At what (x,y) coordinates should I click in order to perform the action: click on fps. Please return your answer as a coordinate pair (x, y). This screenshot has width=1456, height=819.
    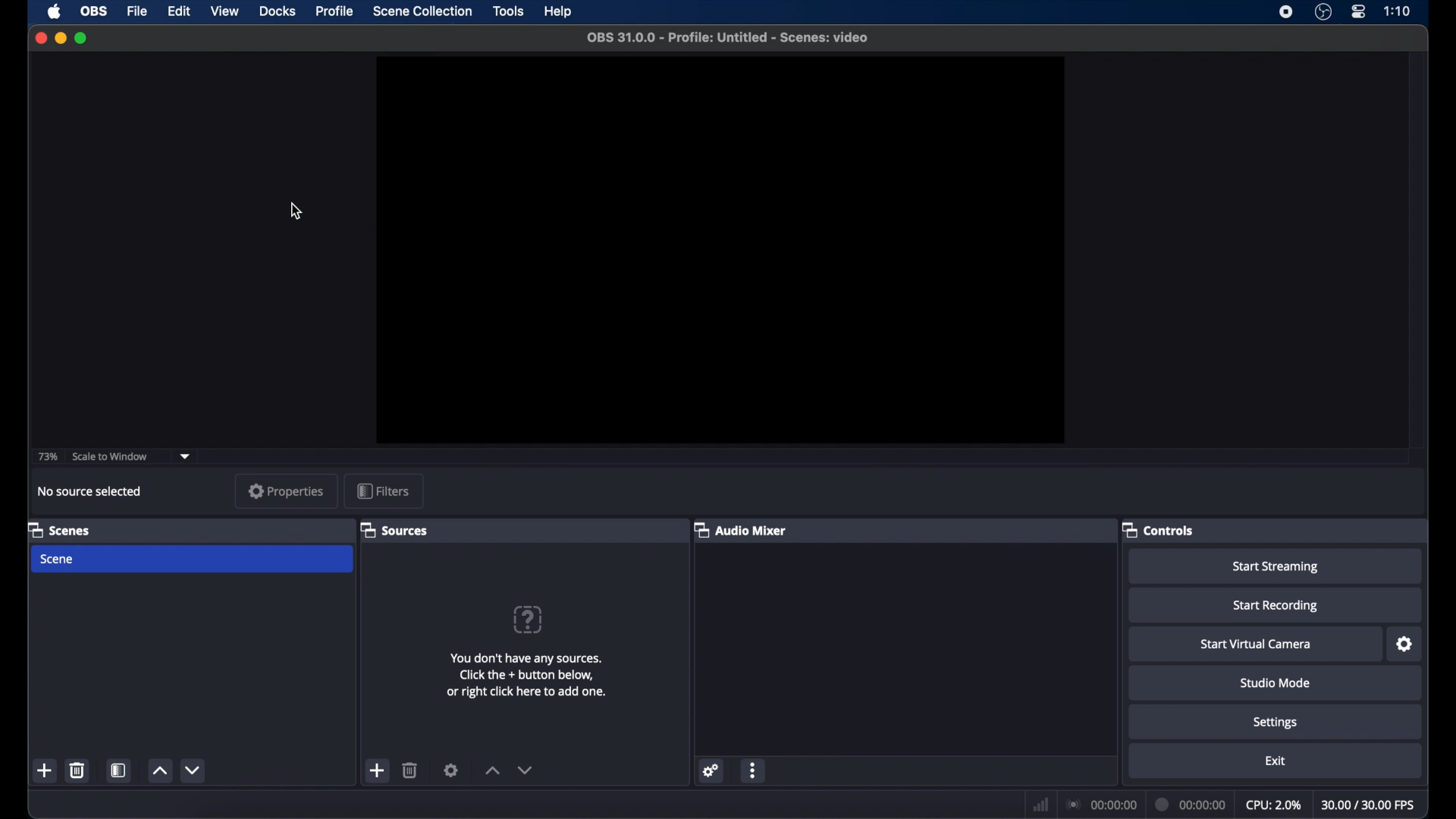
    Looking at the image, I should click on (1369, 805).